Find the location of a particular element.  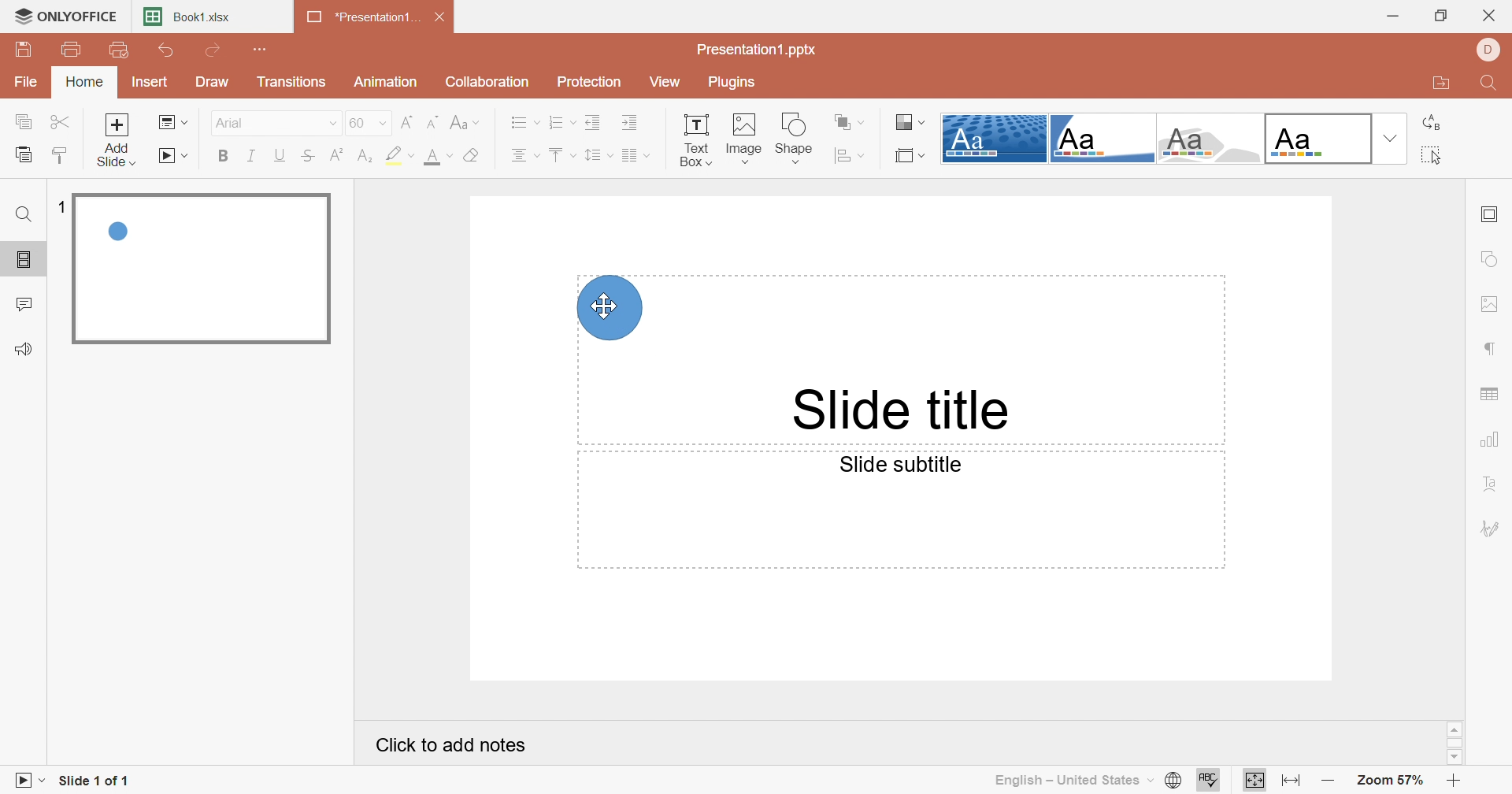

Start slideshow is located at coordinates (175, 156).